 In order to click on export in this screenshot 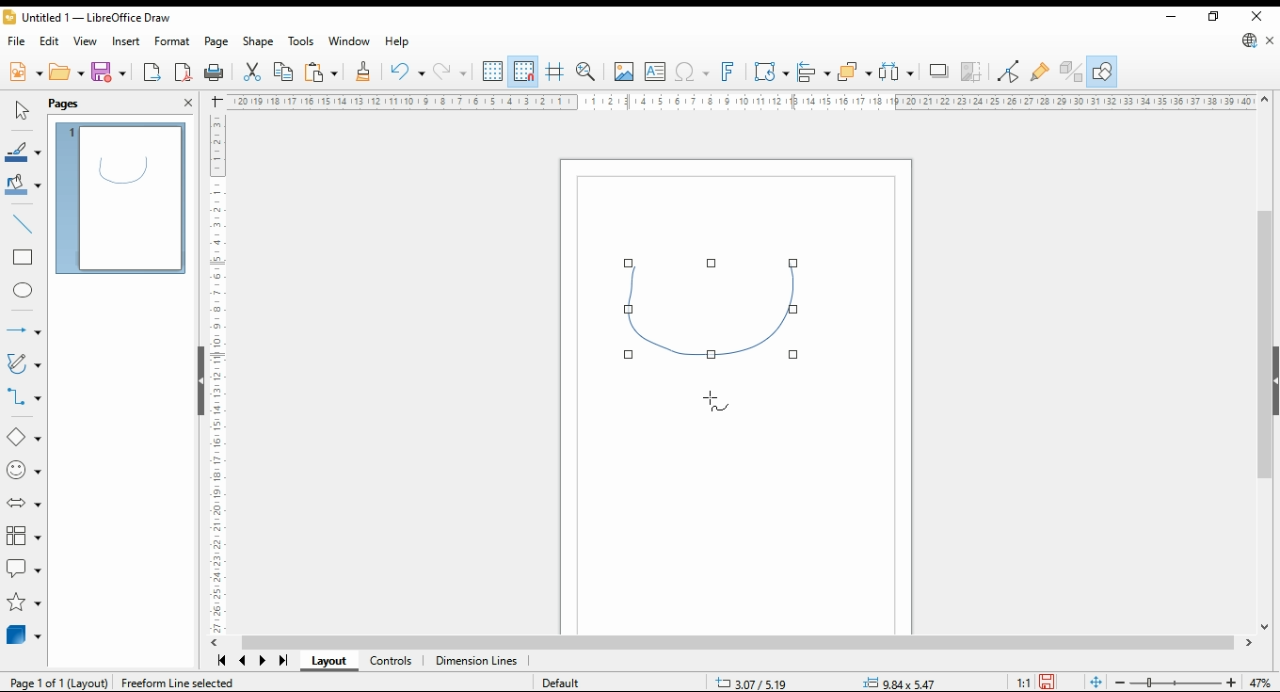, I will do `click(154, 72)`.